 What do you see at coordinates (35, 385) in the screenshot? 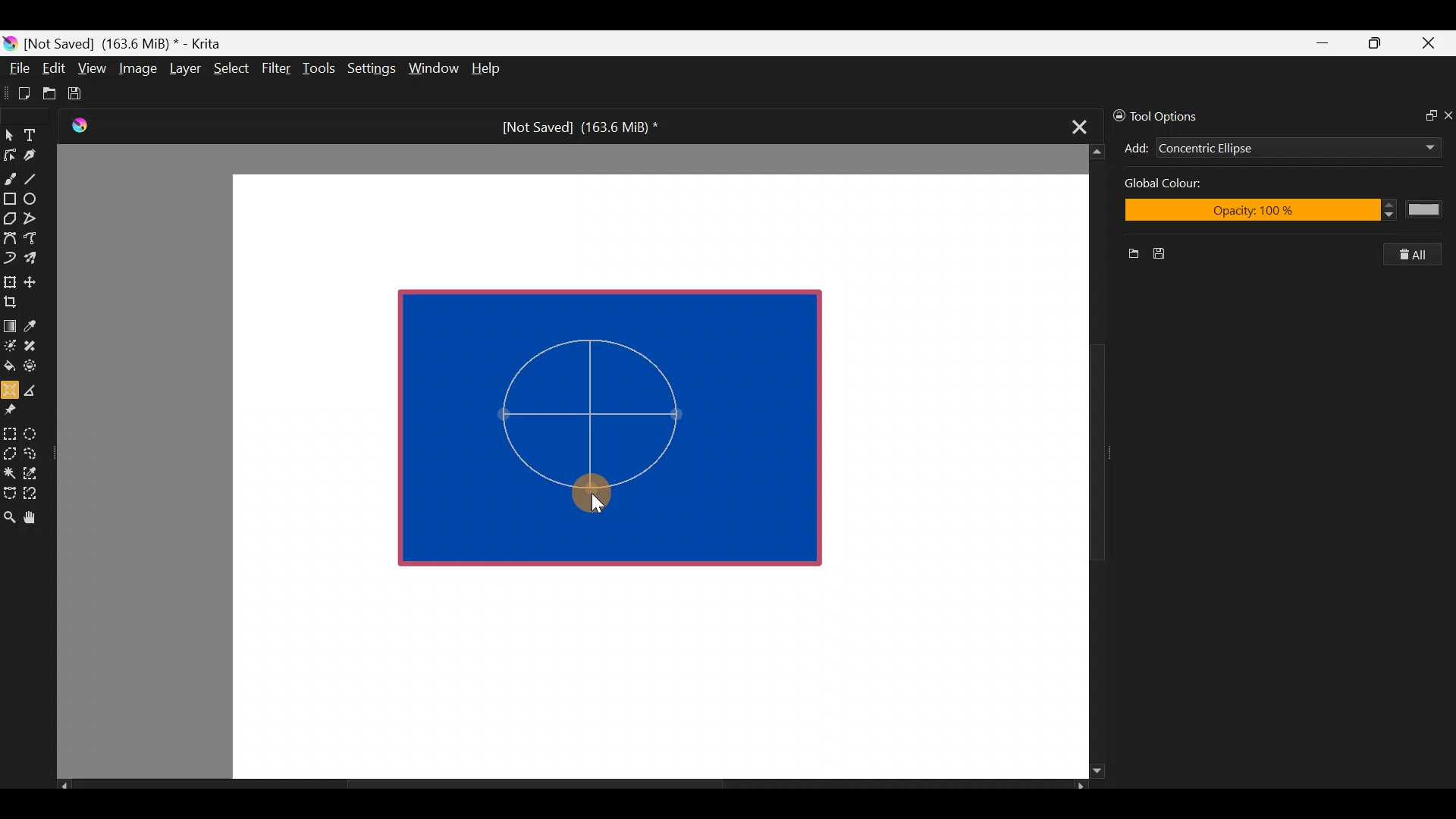
I see `Measure the distance between two points` at bounding box center [35, 385].